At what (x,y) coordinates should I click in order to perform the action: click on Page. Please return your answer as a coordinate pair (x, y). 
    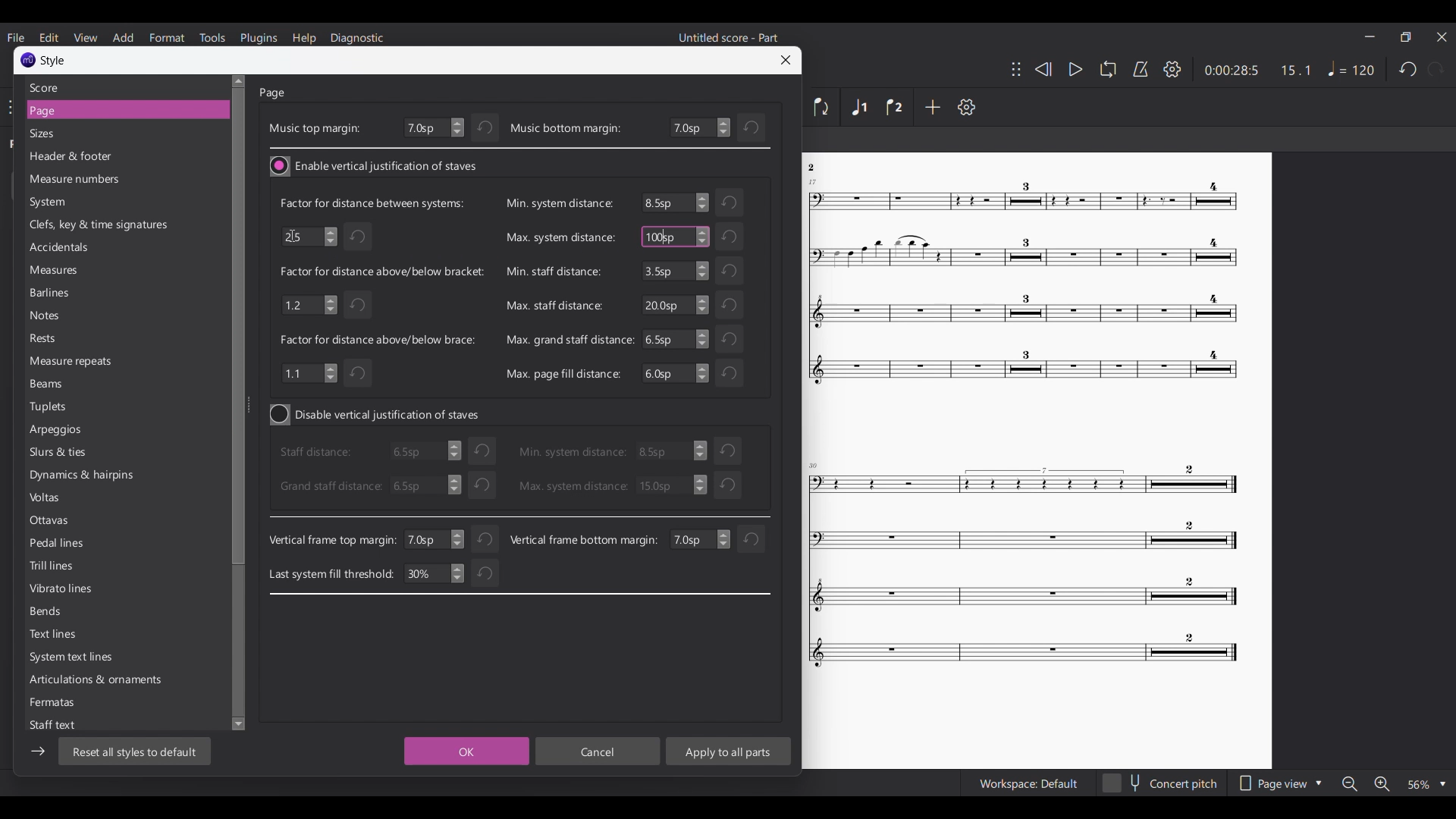
    Looking at the image, I should click on (274, 93).